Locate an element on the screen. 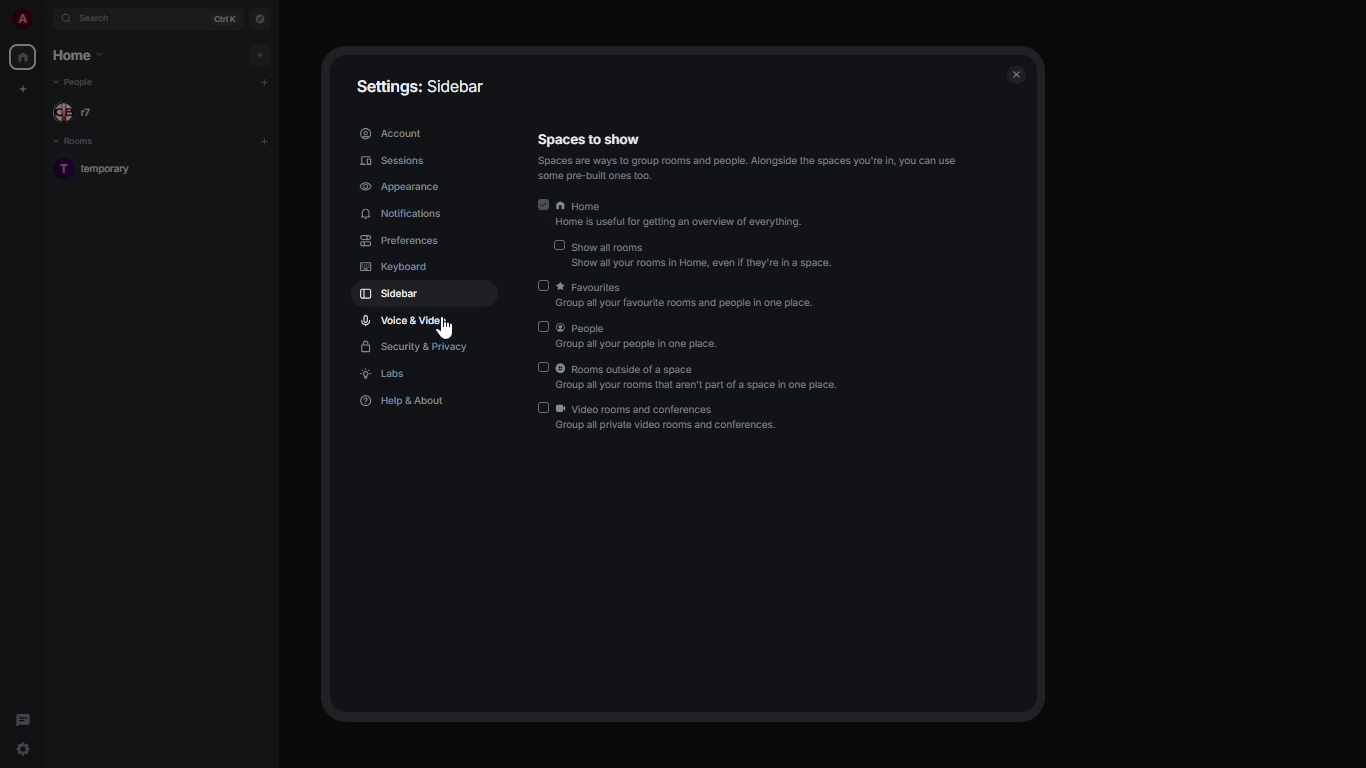 The height and width of the screenshot is (768, 1366). disabled is located at coordinates (543, 326).